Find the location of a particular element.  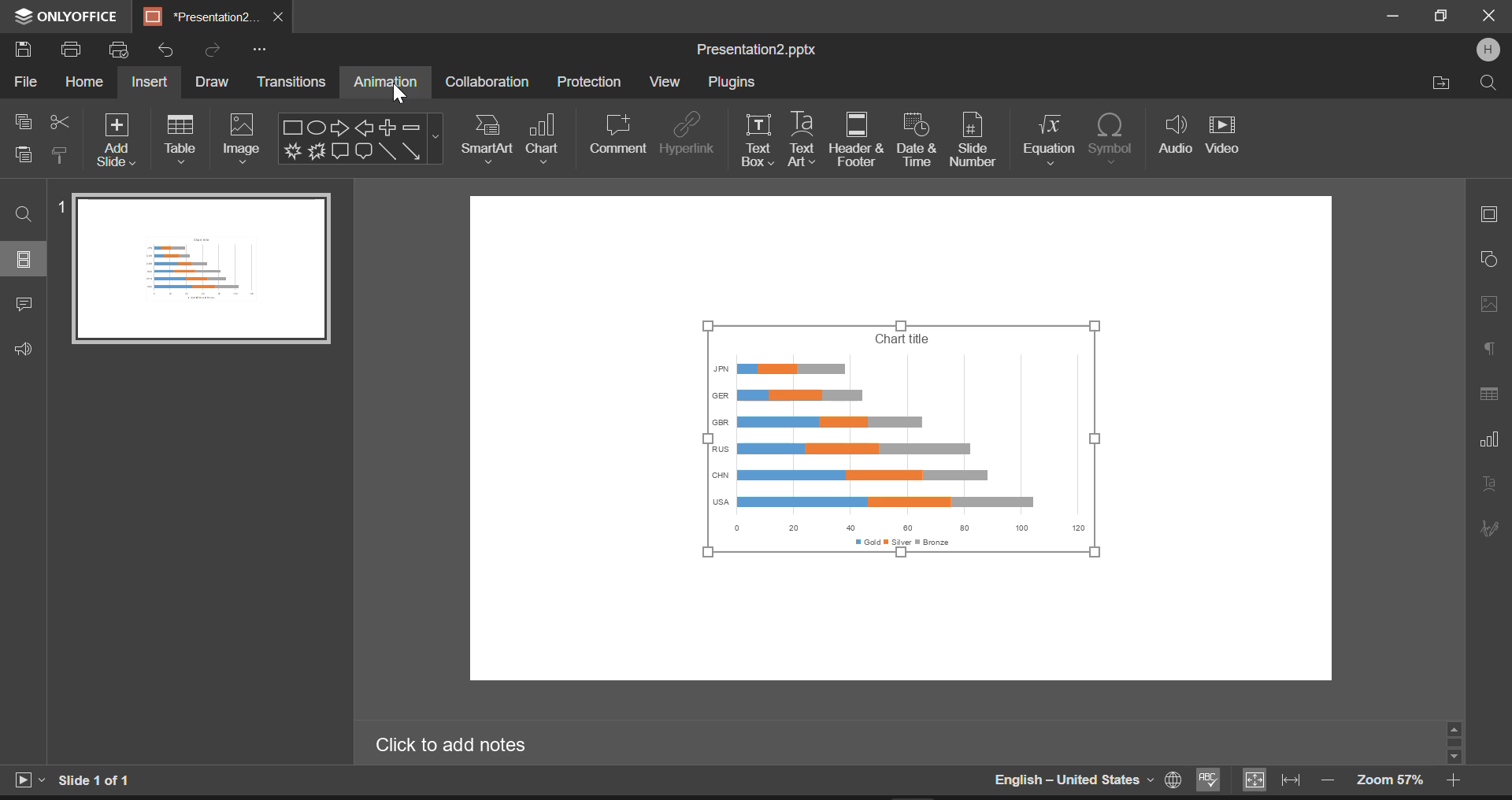

Copy is located at coordinates (24, 120).